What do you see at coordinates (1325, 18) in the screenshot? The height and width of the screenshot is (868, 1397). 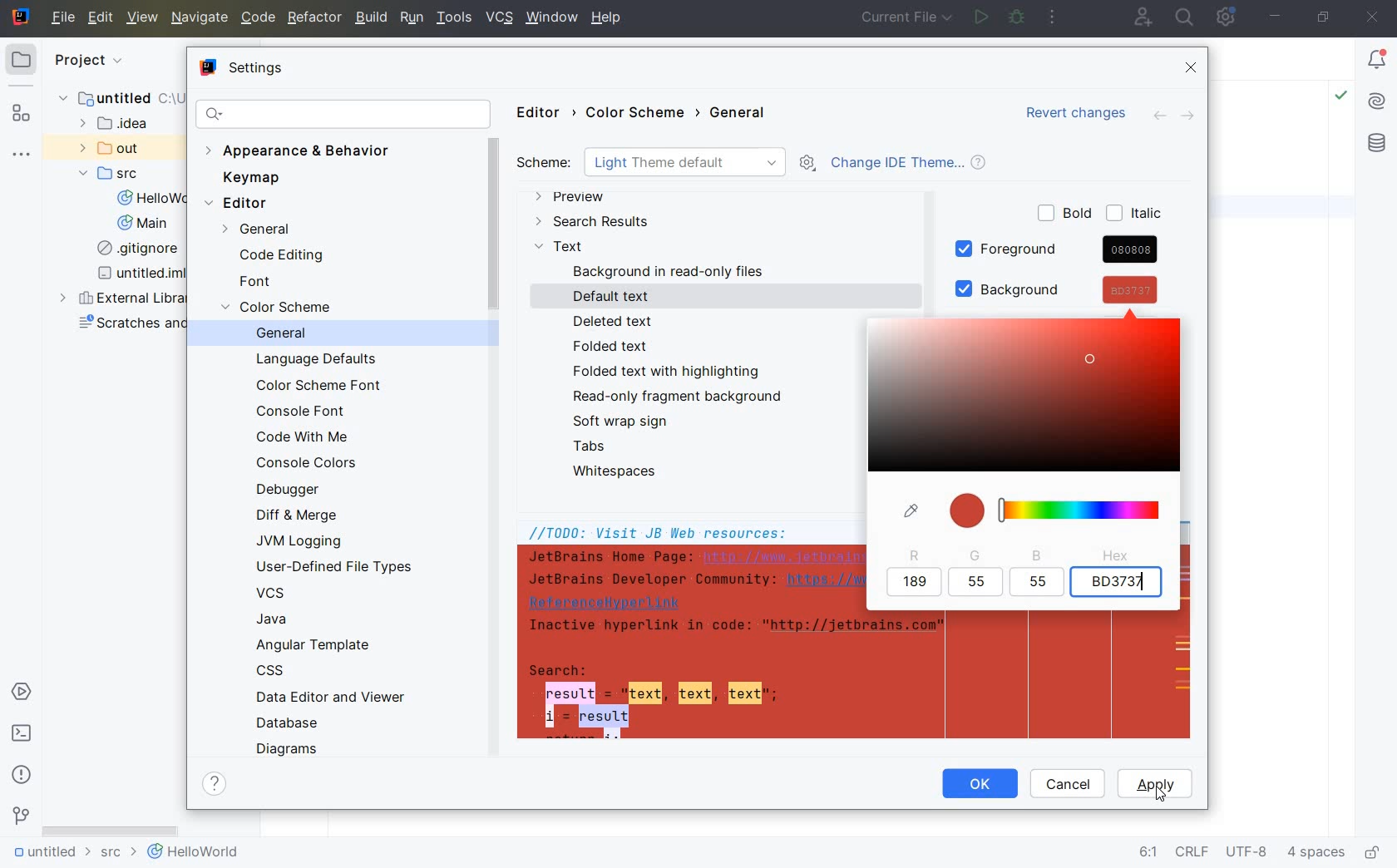 I see `restore down` at bounding box center [1325, 18].